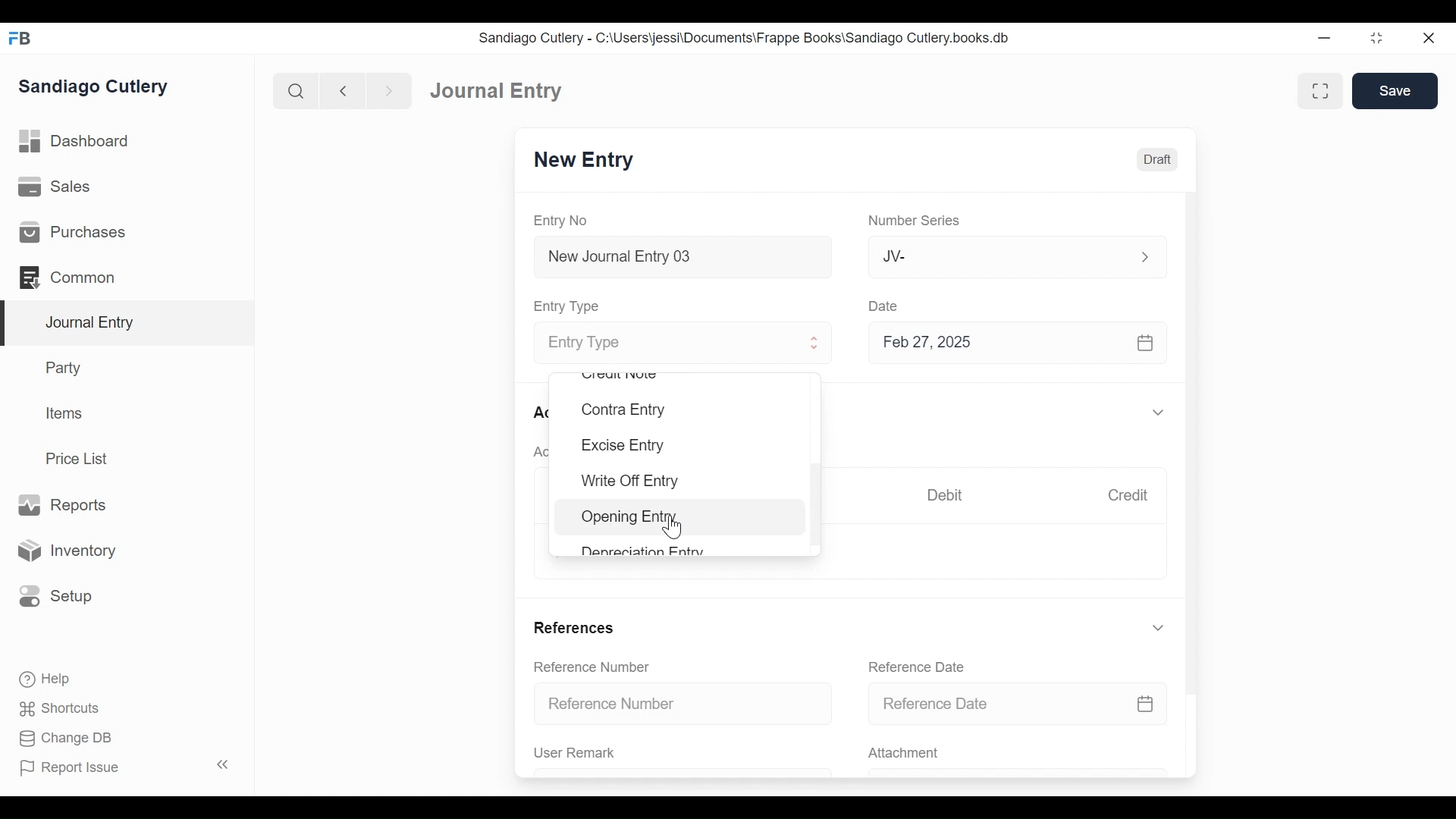 This screenshot has width=1456, height=819. Describe the element at coordinates (1156, 161) in the screenshot. I see `Draft` at that location.